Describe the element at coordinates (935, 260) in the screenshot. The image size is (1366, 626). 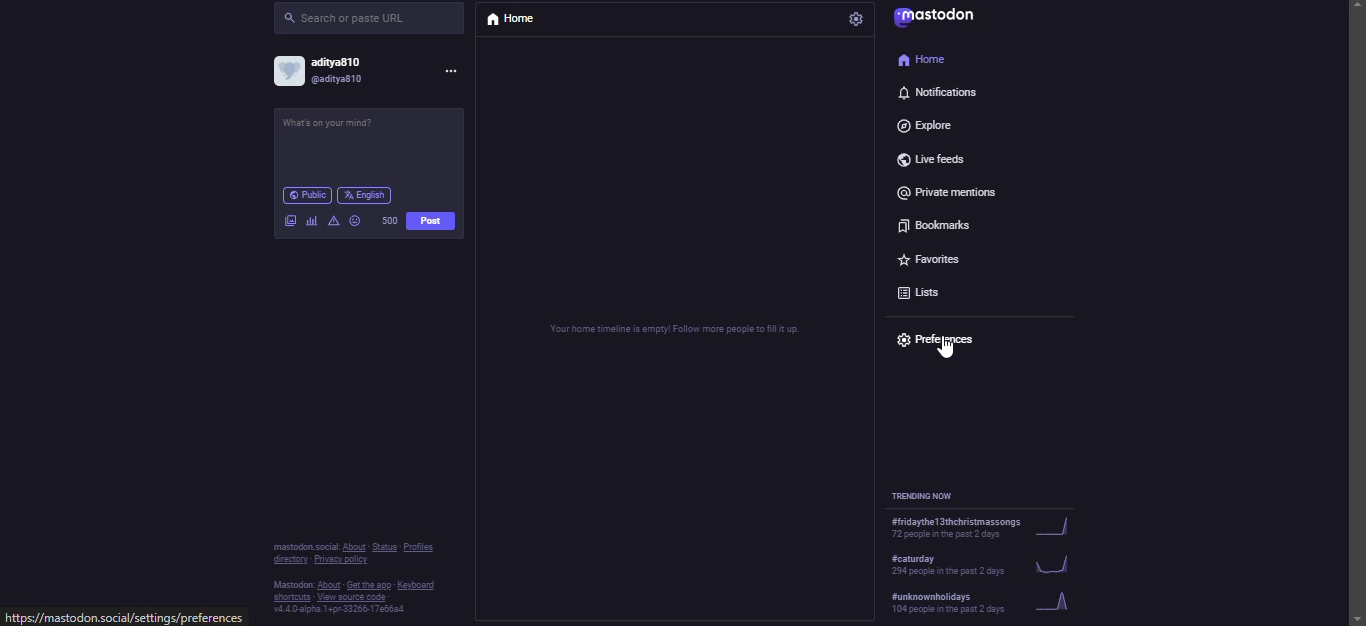
I see `favorites` at that location.